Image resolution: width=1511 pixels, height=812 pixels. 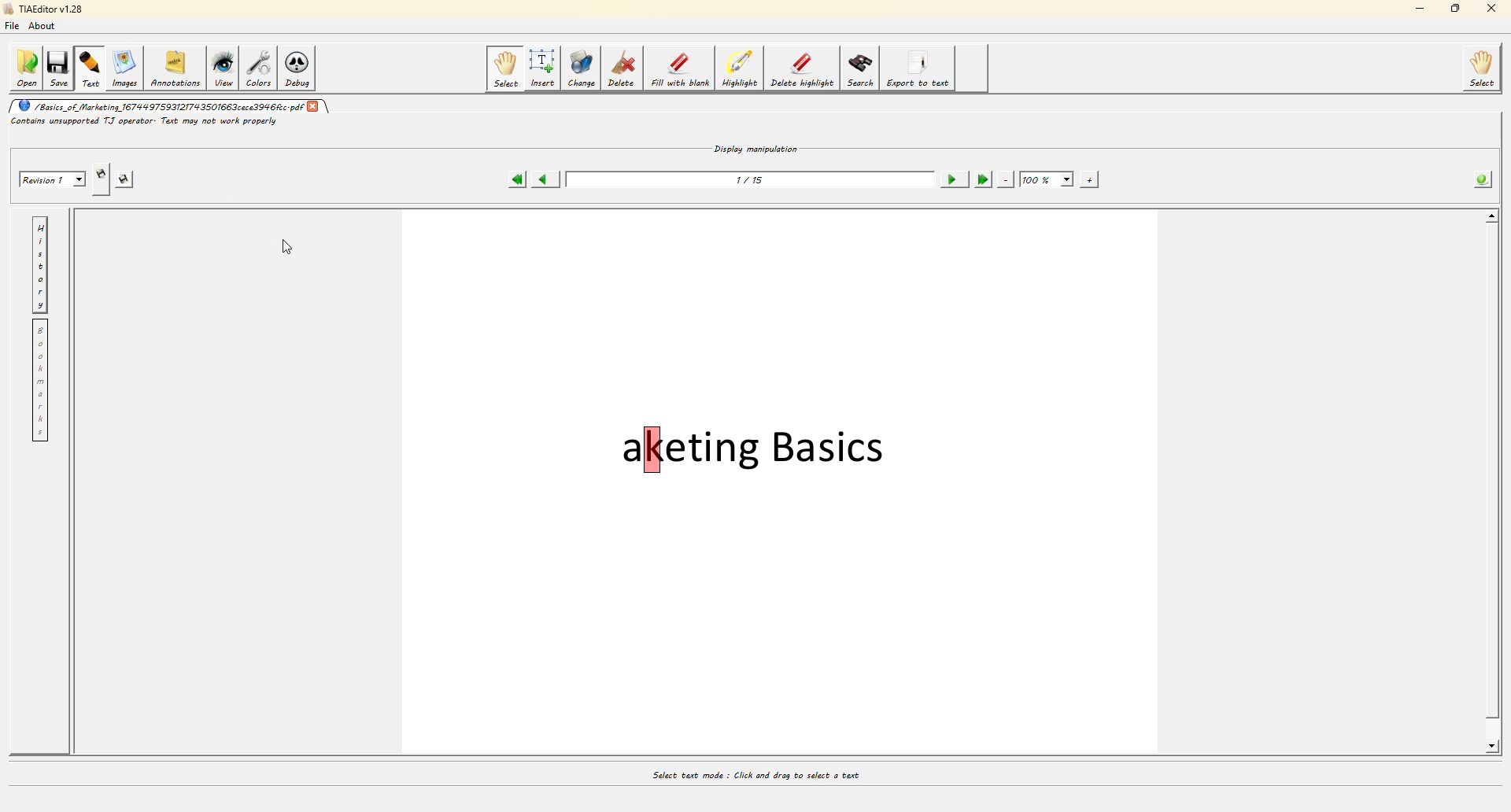 I want to click on select, so click(x=504, y=68).